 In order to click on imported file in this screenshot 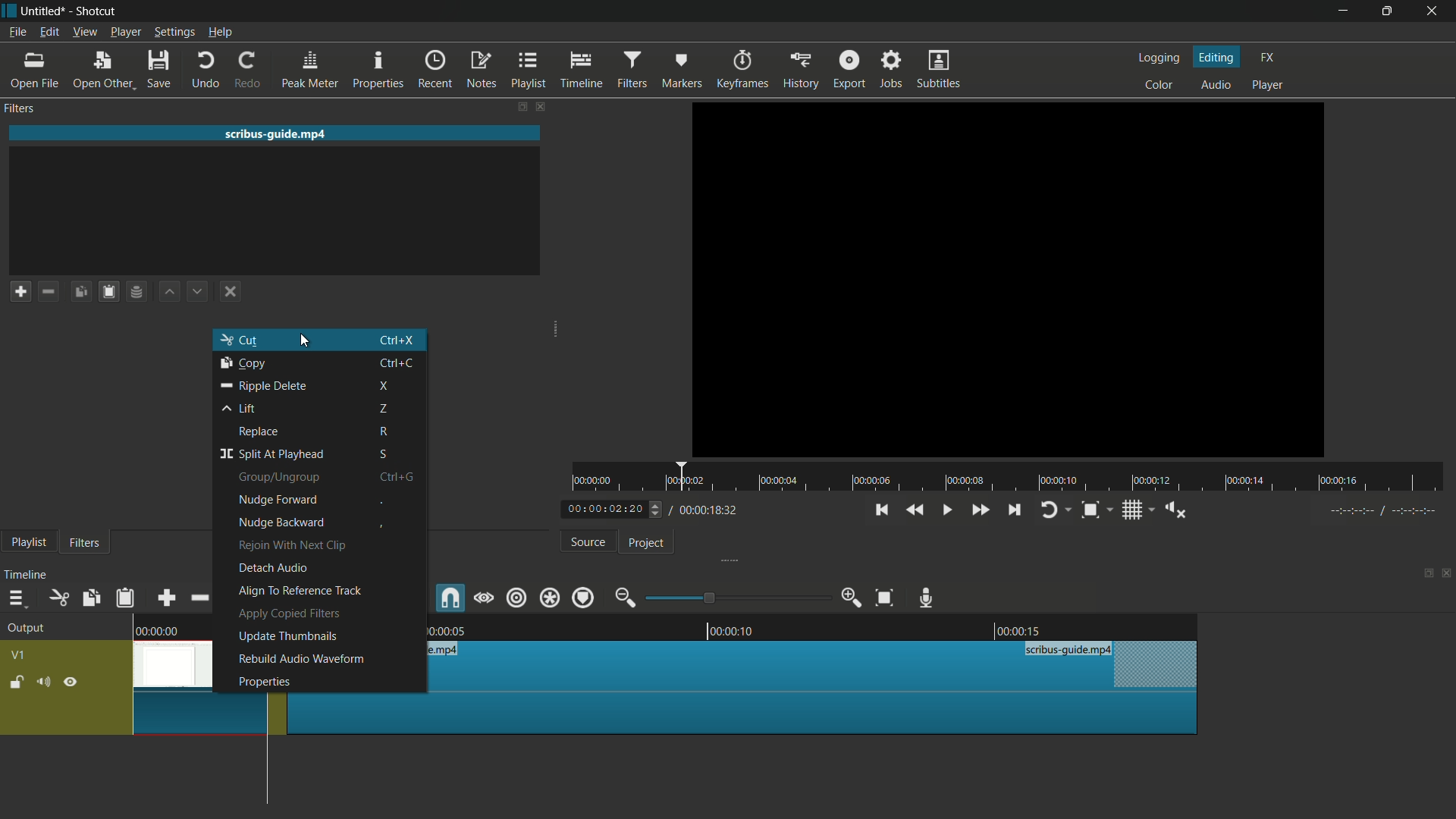, I will do `click(1009, 279)`.